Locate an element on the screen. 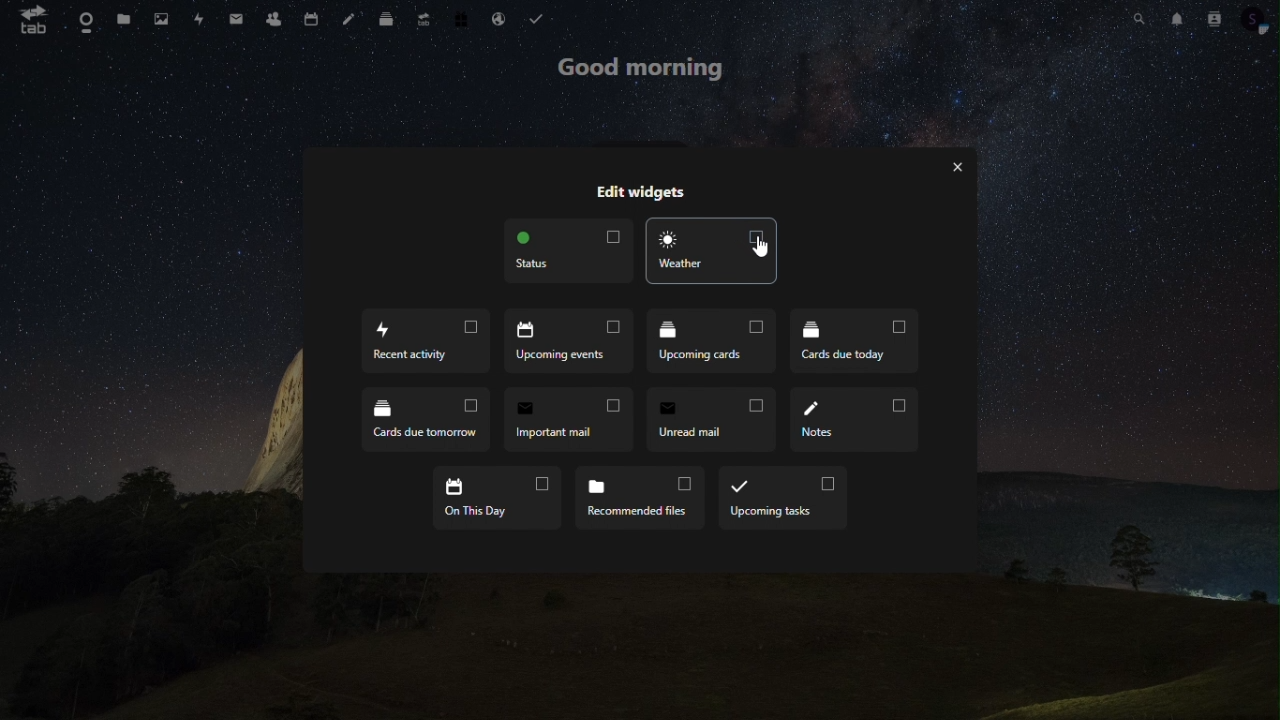  activity is located at coordinates (201, 21).